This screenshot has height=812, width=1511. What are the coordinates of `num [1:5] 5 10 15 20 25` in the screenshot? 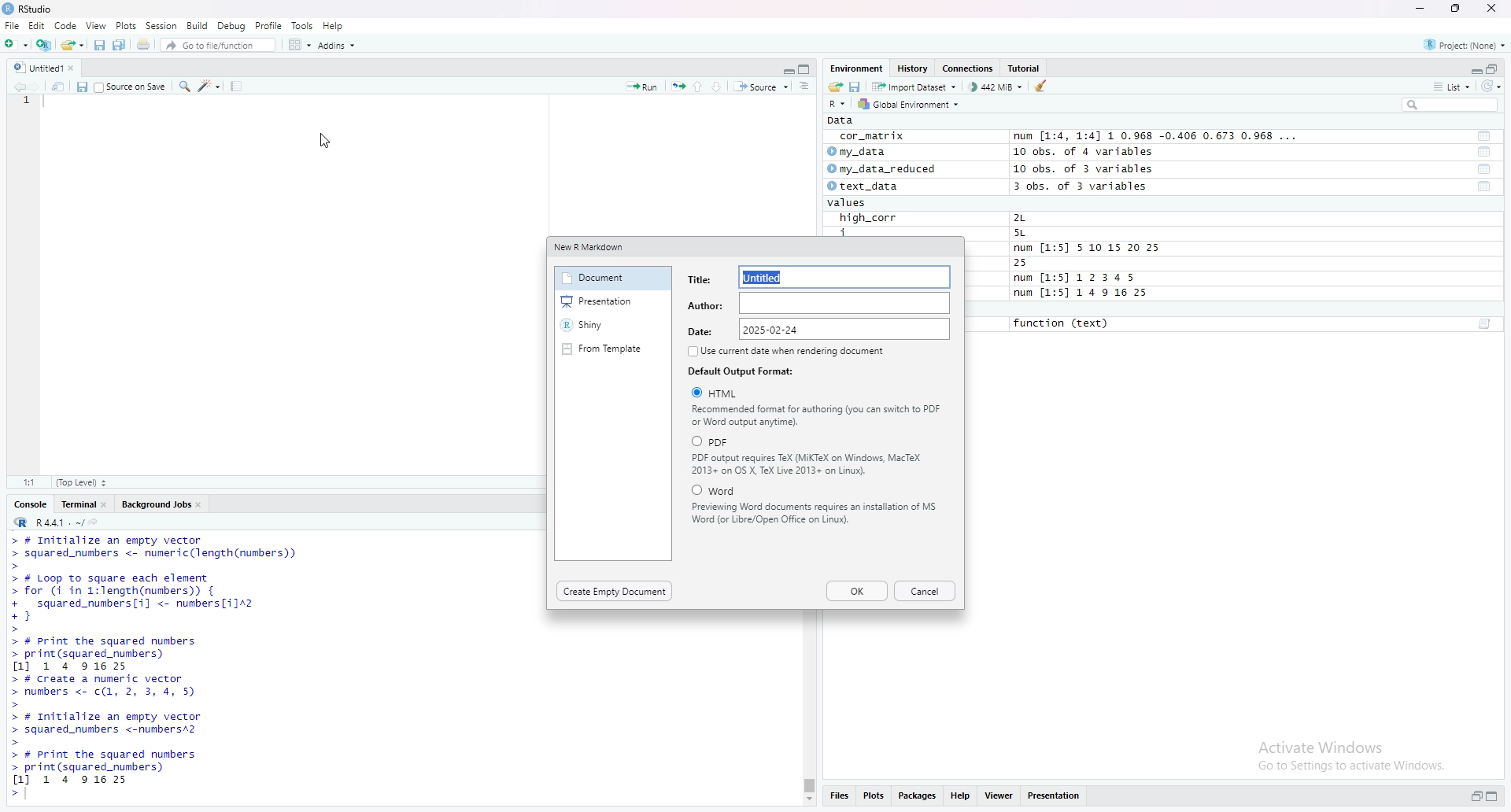 It's located at (1086, 247).